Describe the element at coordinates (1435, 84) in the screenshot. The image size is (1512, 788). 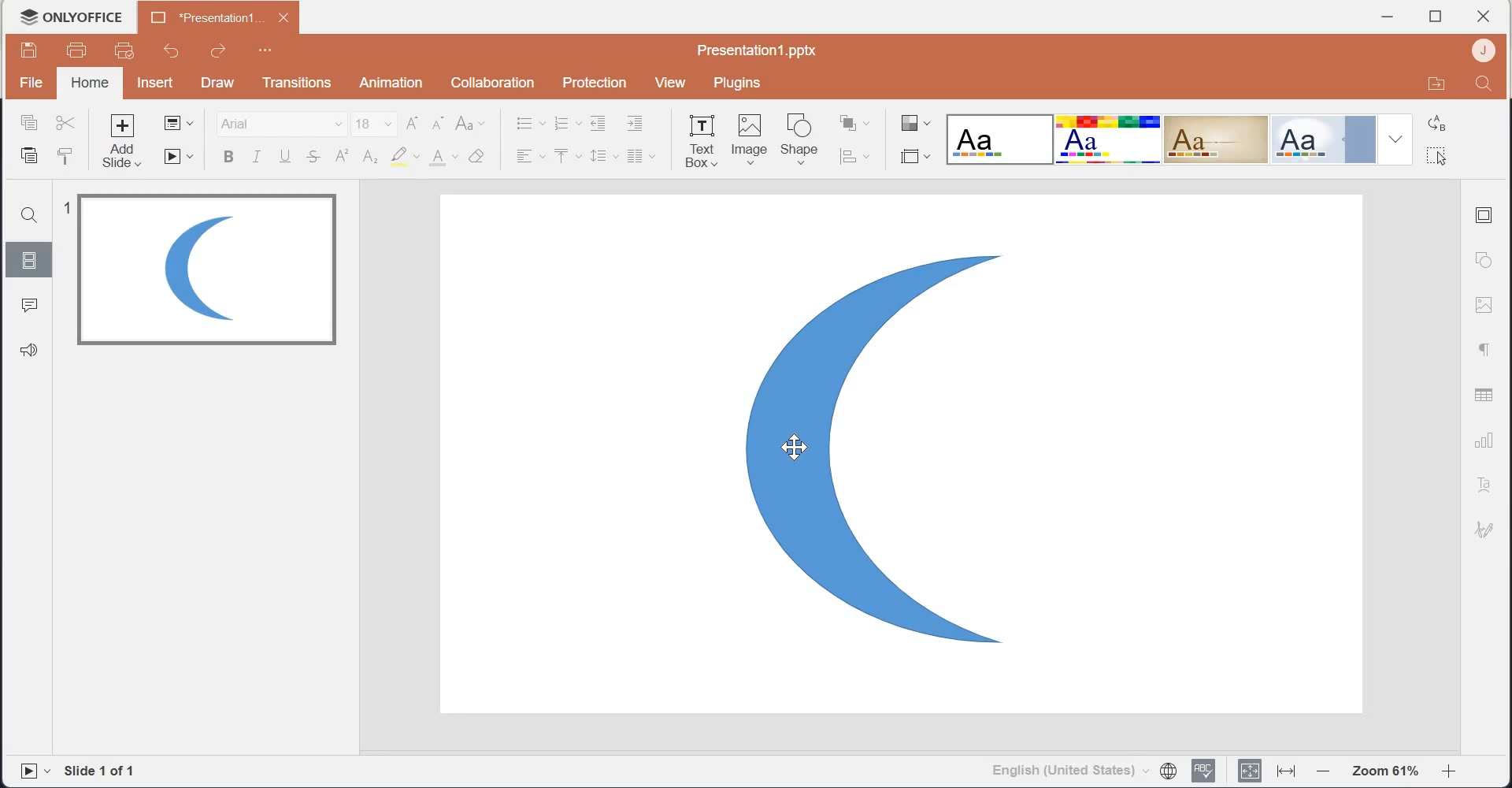
I see `Open in file location` at that location.